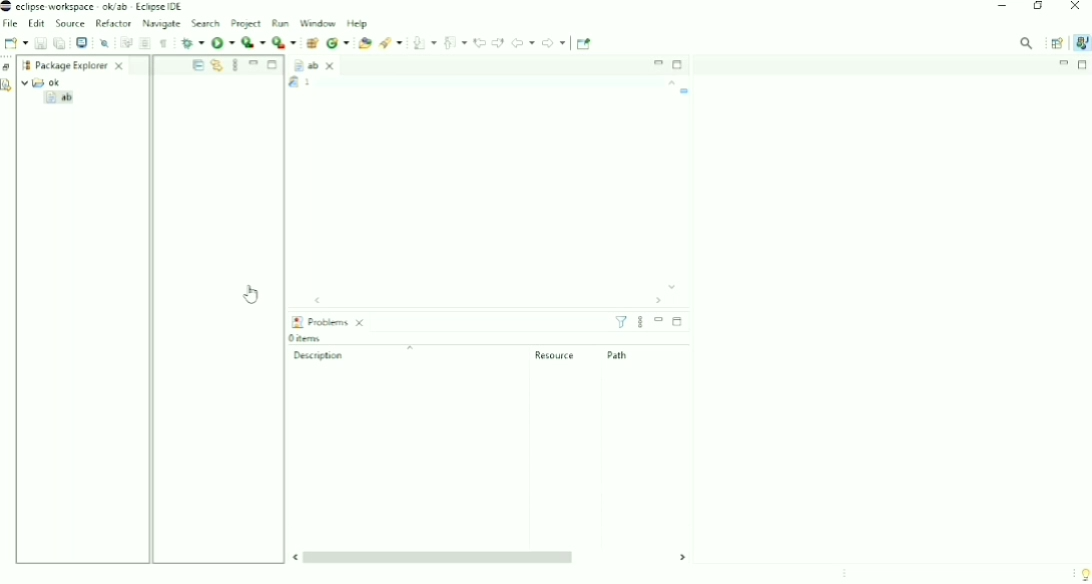 The image size is (1092, 584). What do you see at coordinates (9, 87) in the screenshot?
I see `Declaration` at bounding box center [9, 87].